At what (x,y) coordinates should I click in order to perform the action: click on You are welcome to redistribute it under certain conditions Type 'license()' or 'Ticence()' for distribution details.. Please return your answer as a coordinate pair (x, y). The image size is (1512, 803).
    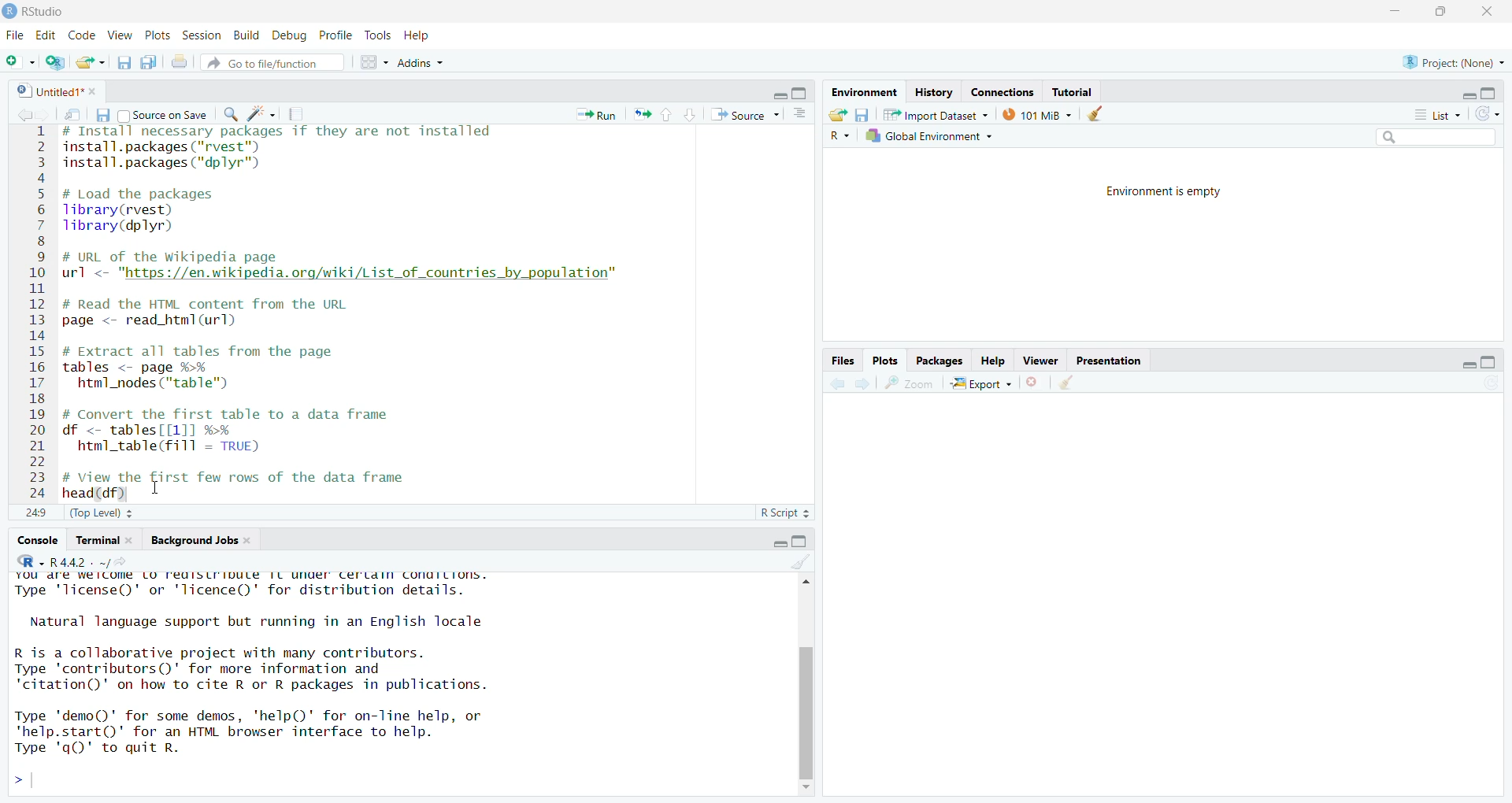
    Looking at the image, I should click on (259, 587).